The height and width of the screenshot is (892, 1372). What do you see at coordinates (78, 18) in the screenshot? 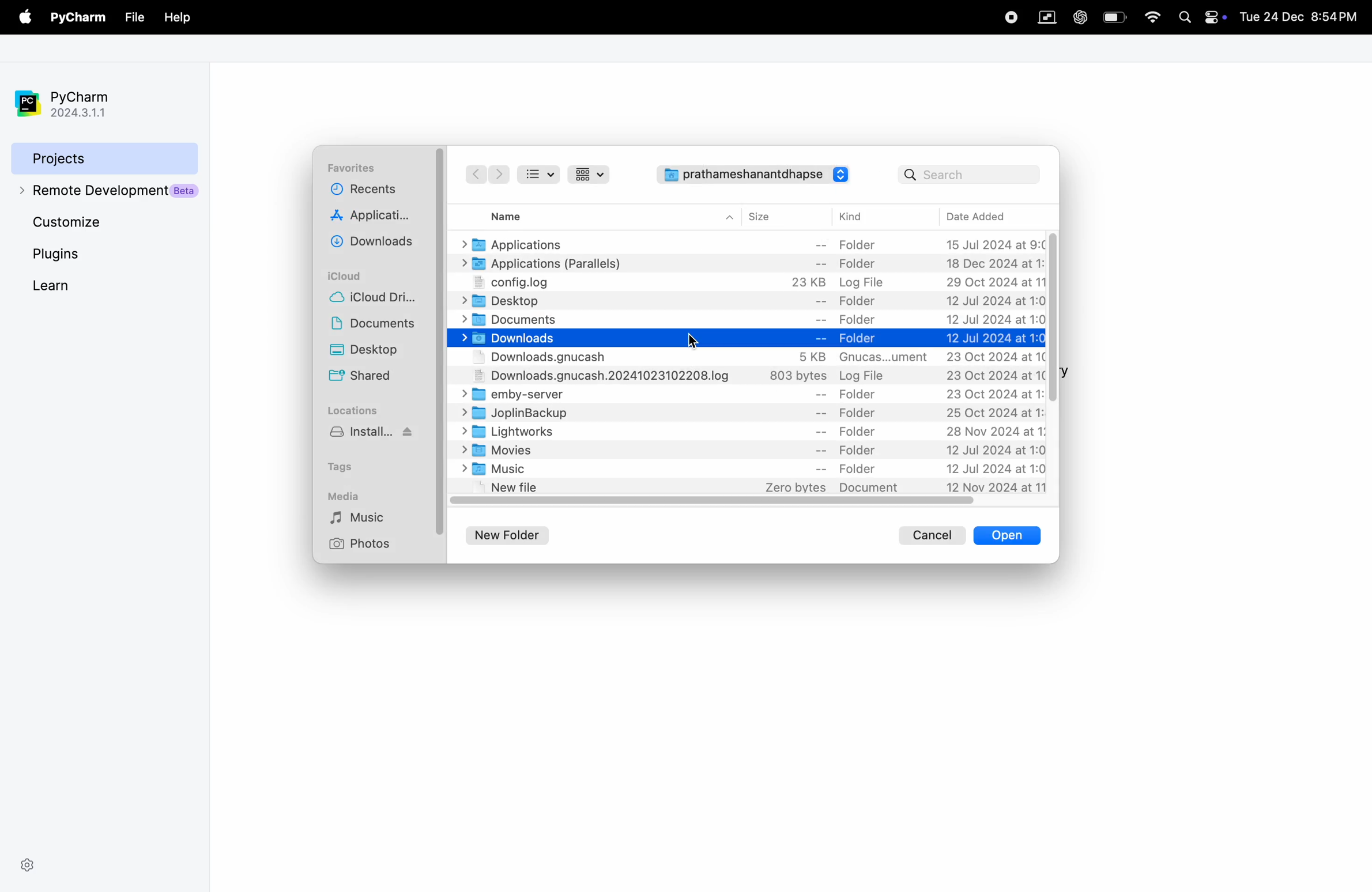
I see `pycharm` at bounding box center [78, 18].